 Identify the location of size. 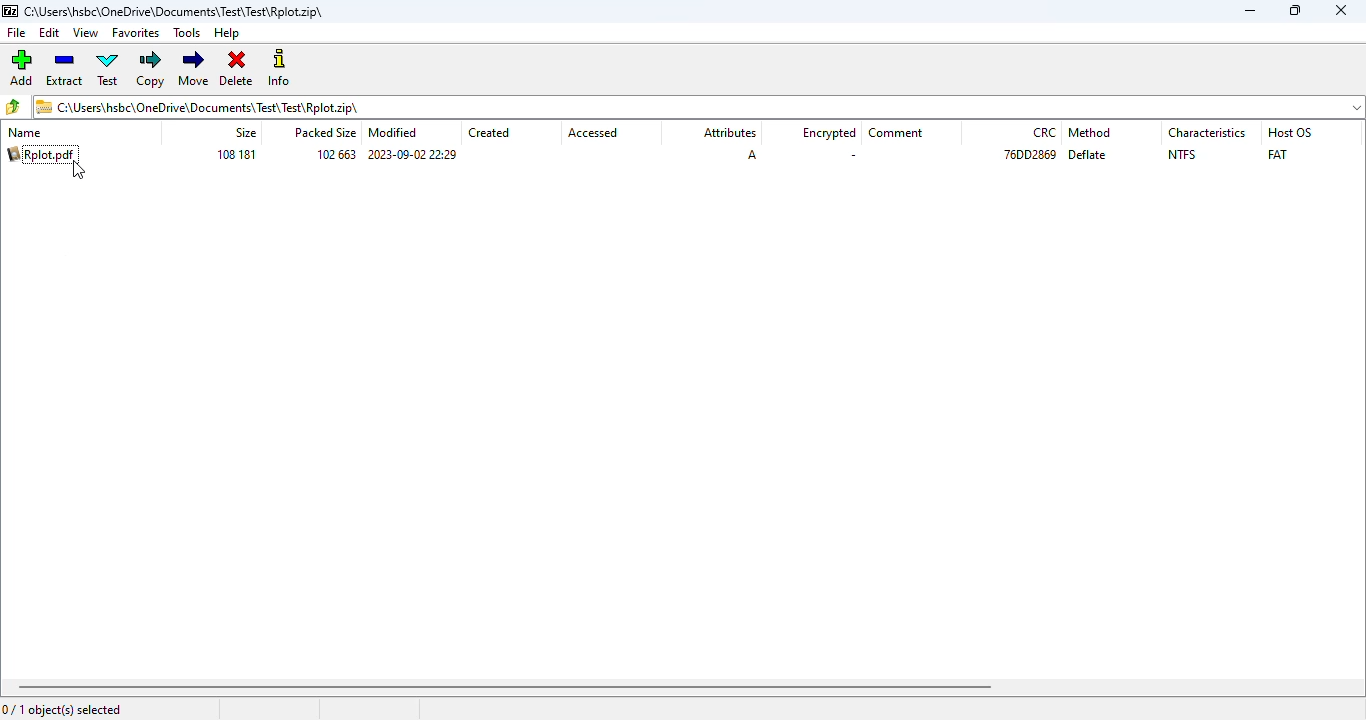
(244, 133).